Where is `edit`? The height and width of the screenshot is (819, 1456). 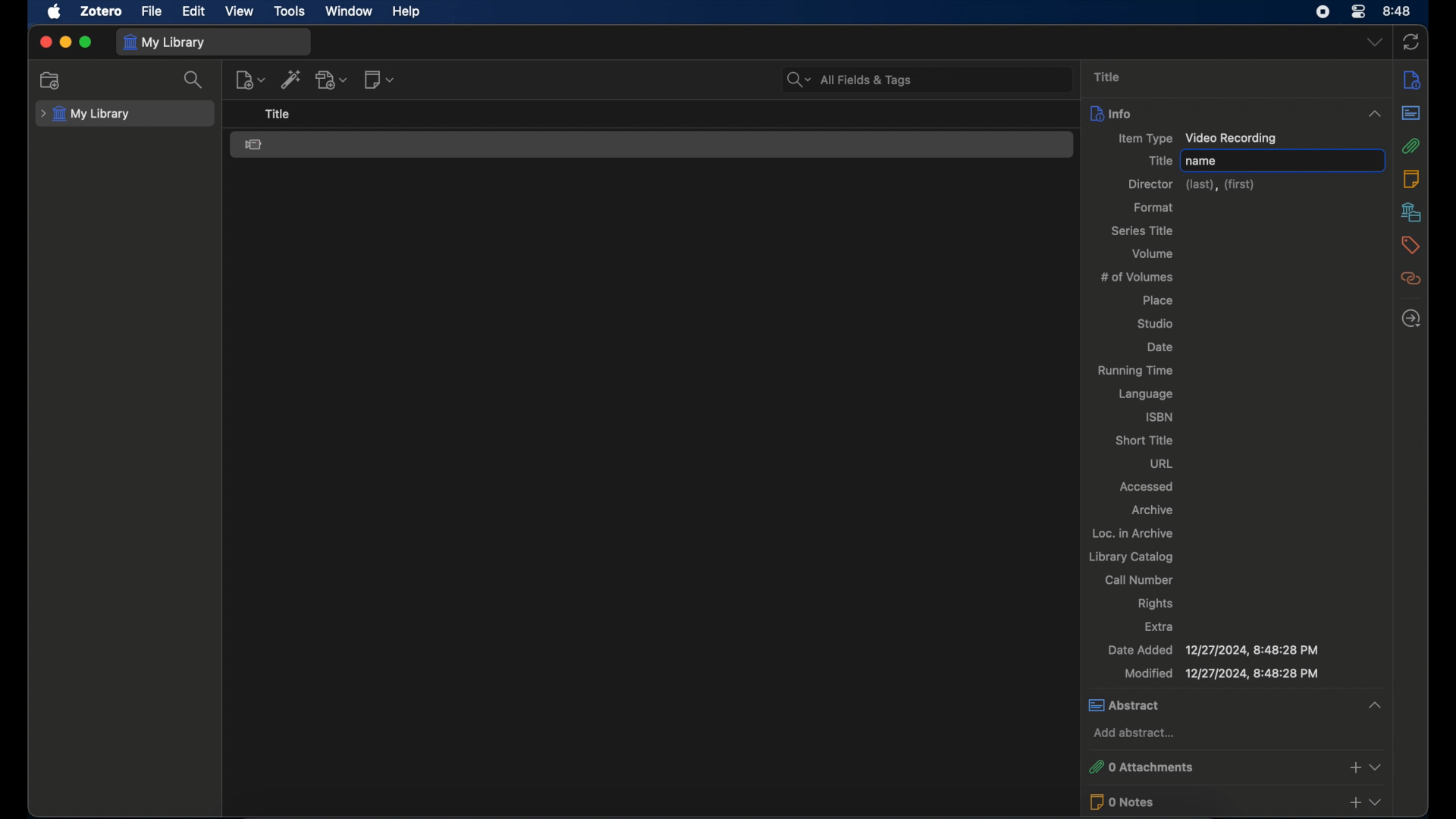 edit is located at coordinates (193, 11).